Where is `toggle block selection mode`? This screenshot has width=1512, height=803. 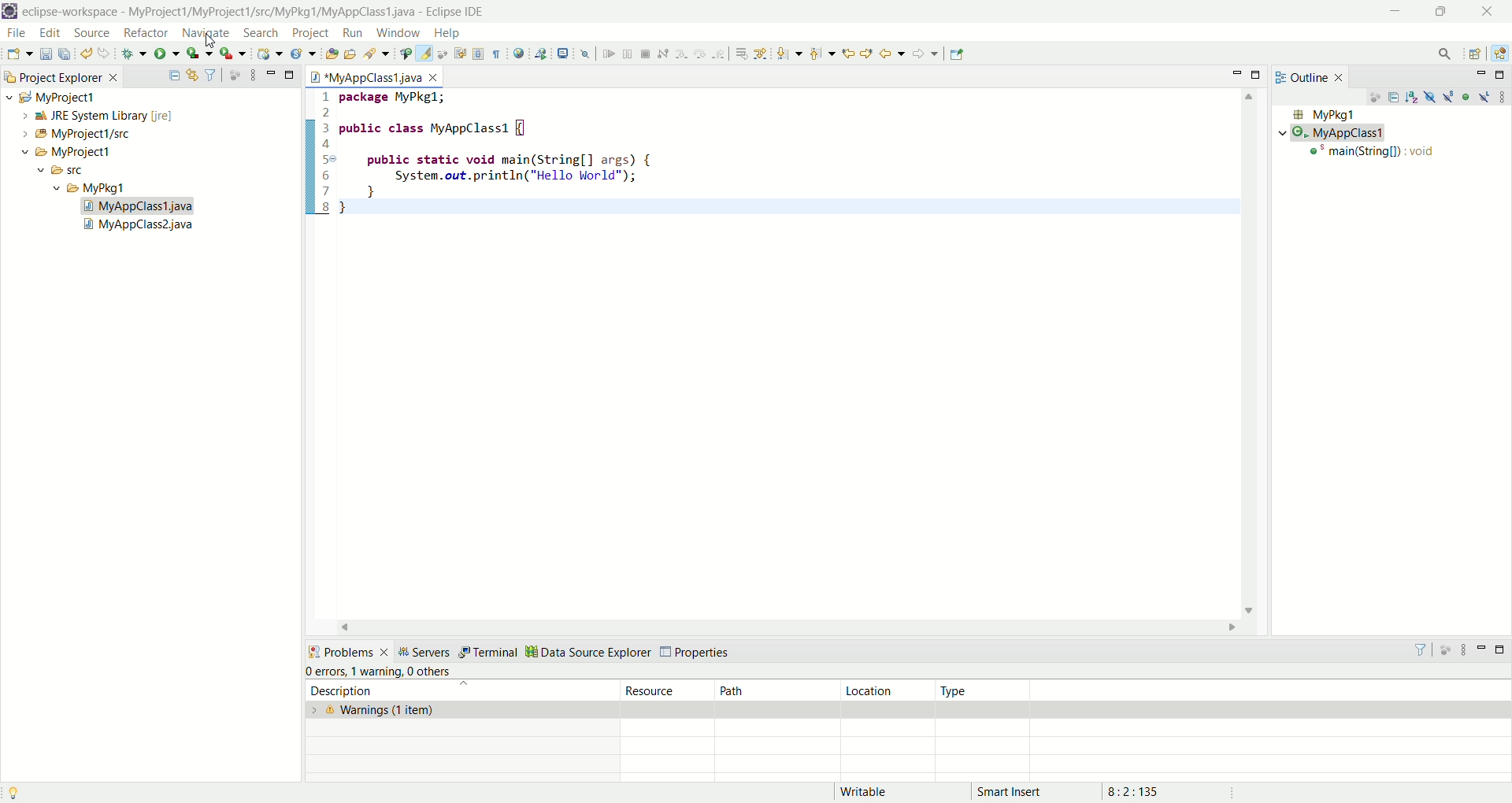
toggle block selection mode is located at coordinates (479, 55).